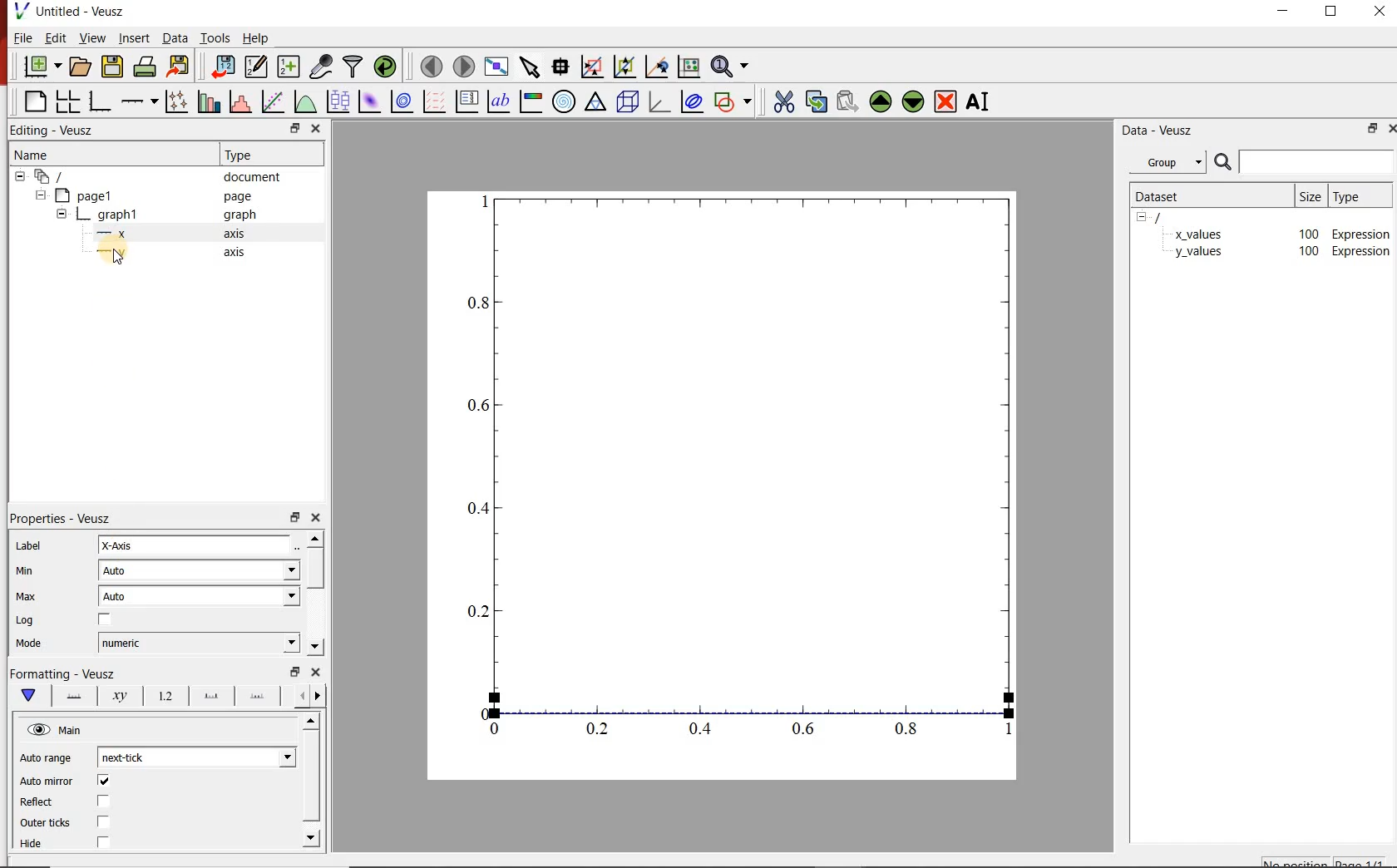 The width and height of the screenshot is (1397, 868). Describe the element at coordinates (1282, 13) in the screenshot. I see `minimize` at that location.